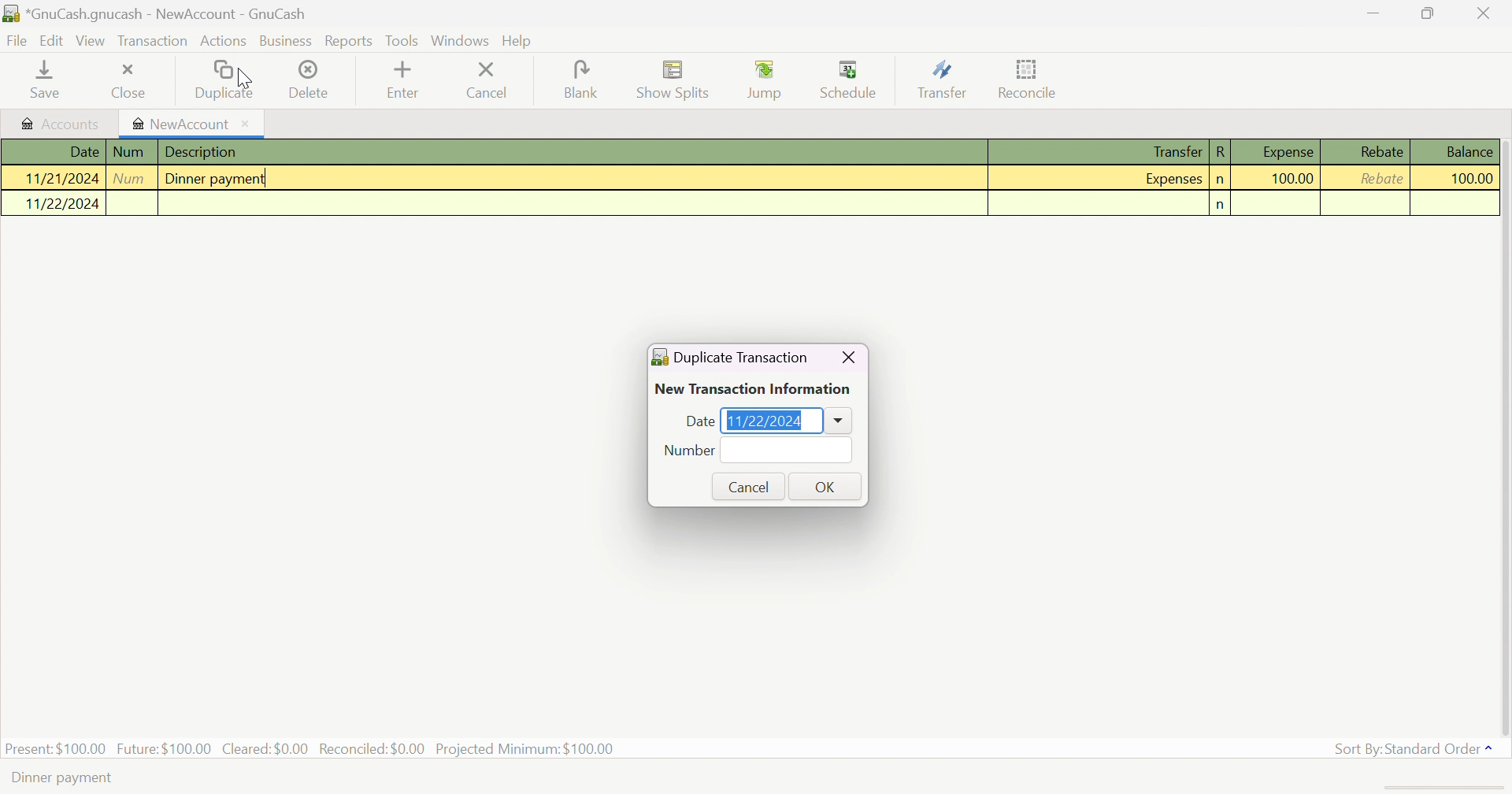 This screenshot has height=794, width=1512. What do you see at coordinates (83, 152) in the screenshot?
I see `Date` at bounding box center [83, 152].